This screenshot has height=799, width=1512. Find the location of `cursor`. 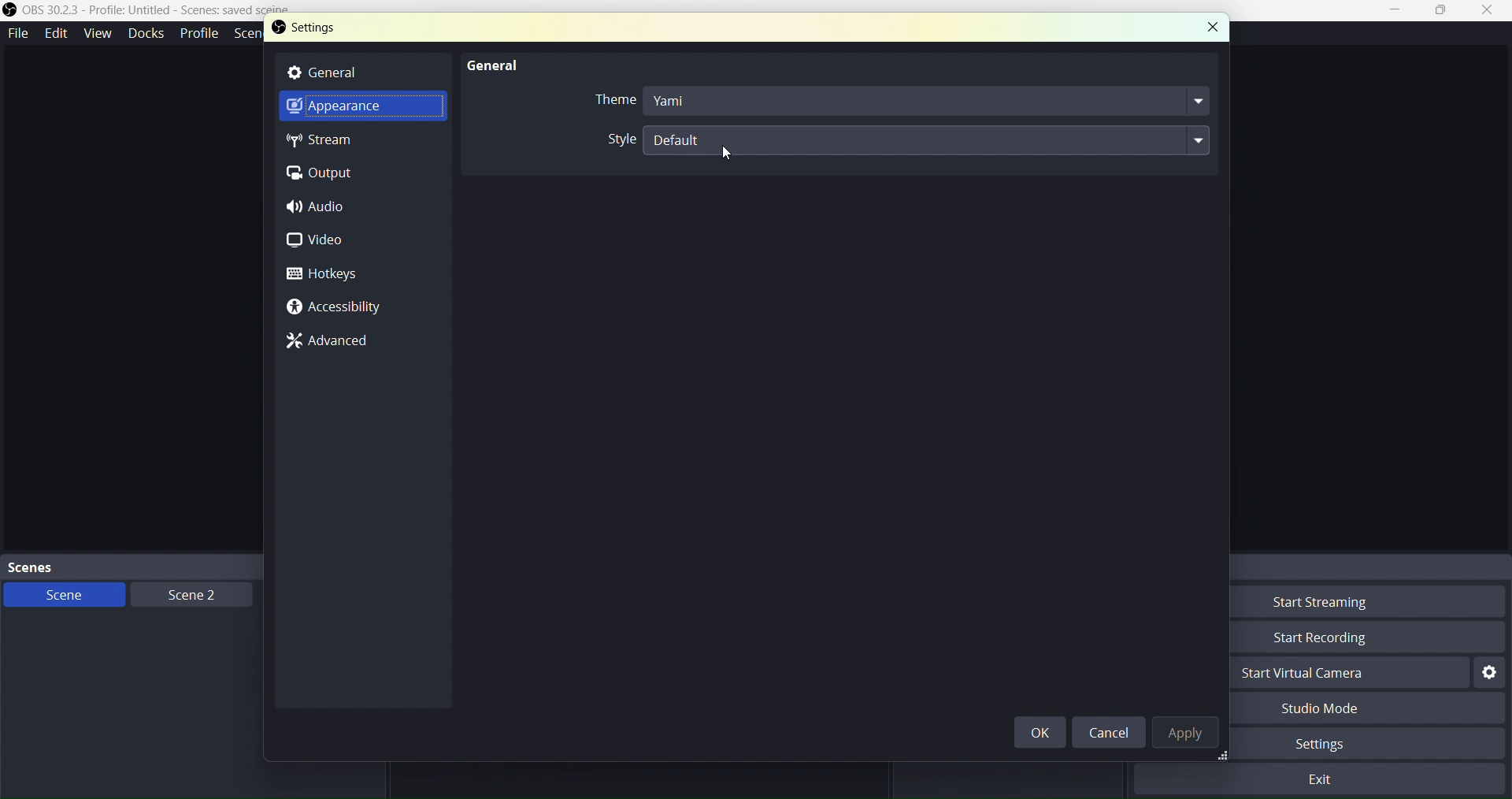

cursor is located at coordinates (721, 161).